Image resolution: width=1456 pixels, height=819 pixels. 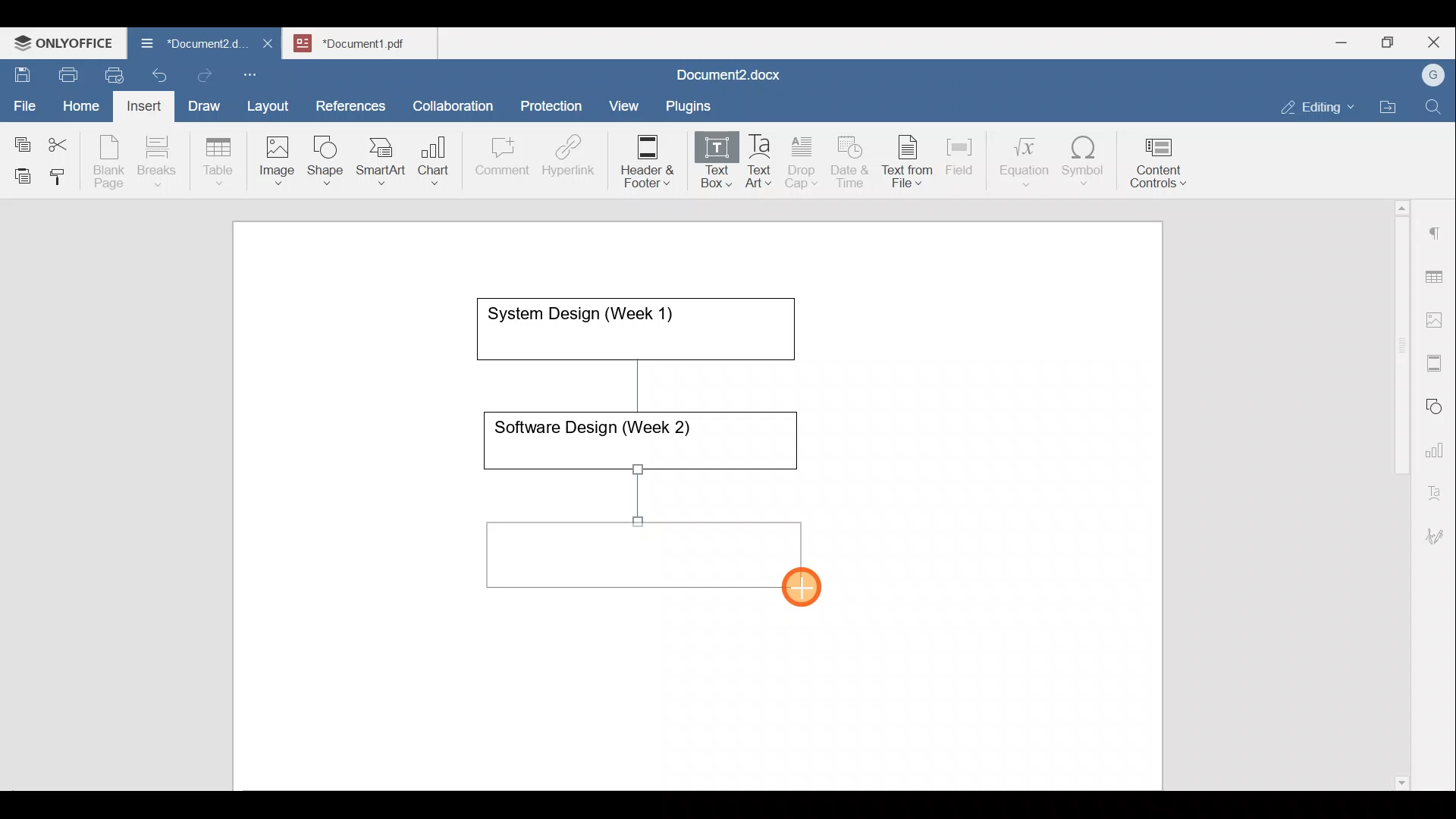 What do you see at coordinates (26, 101) in the screenshot?
I see `File` at bounding box center [26, 101].